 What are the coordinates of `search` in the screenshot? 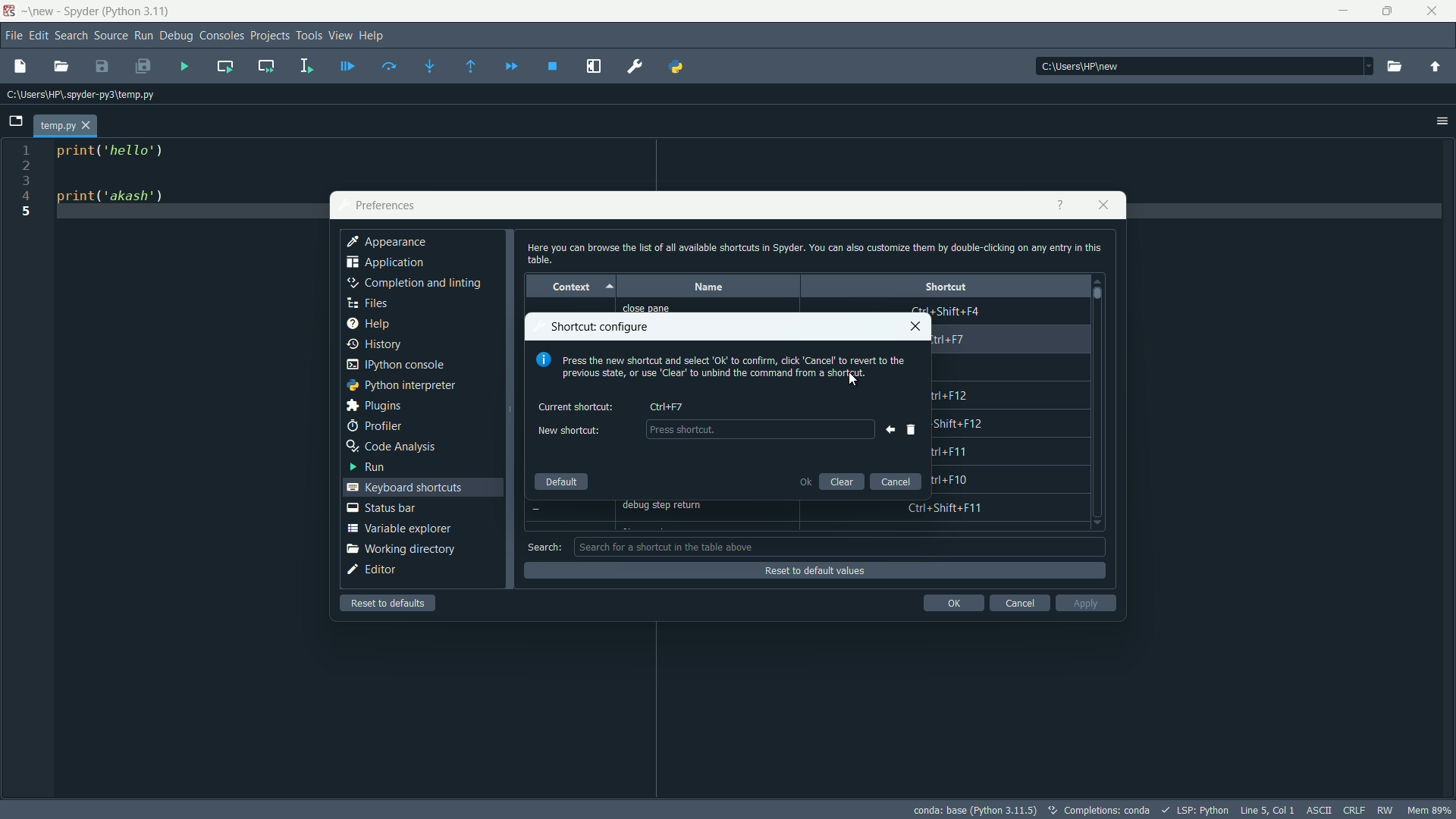 It's located at (544, 547).